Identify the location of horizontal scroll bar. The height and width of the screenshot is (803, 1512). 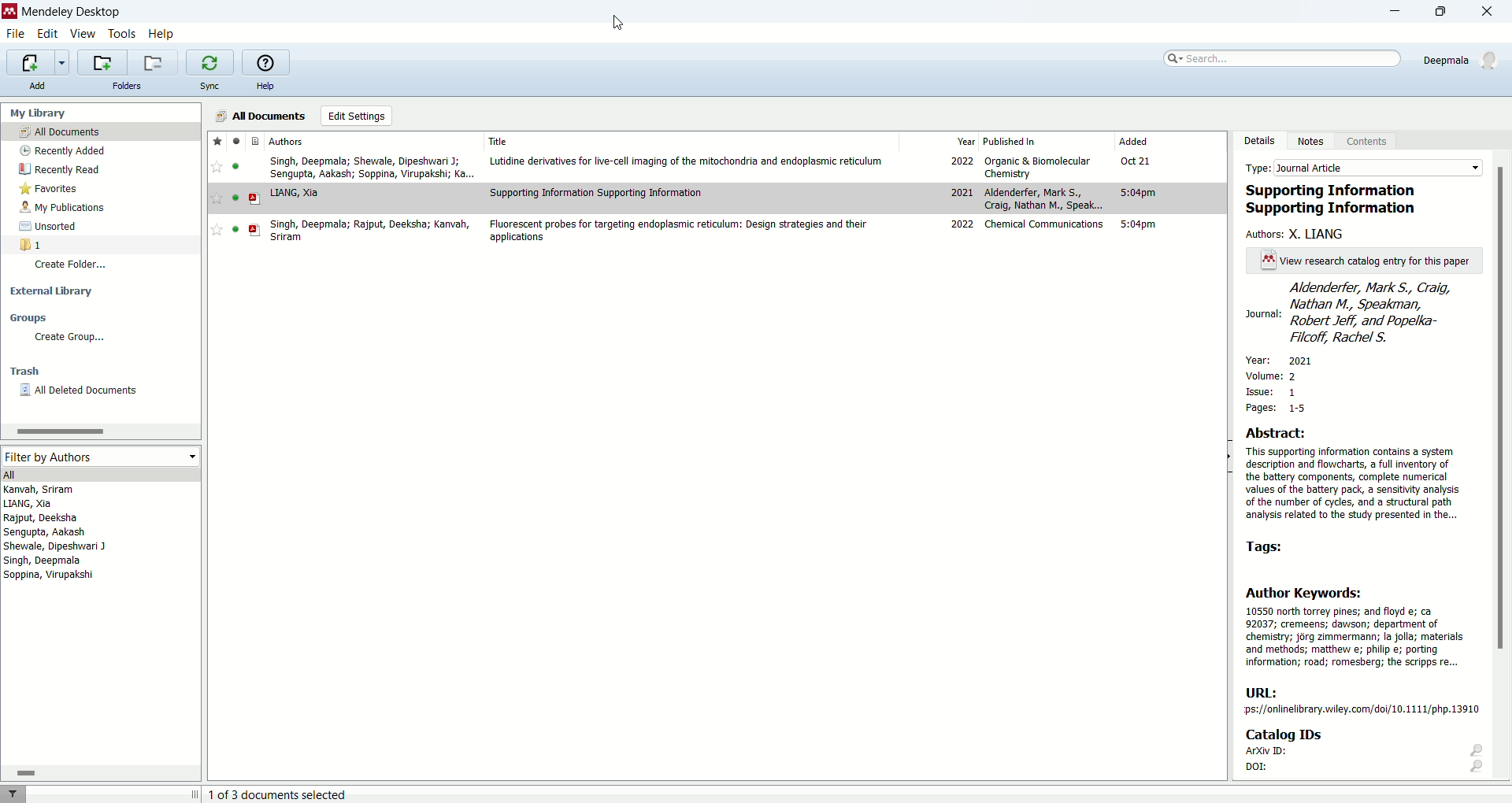
(100, 772).